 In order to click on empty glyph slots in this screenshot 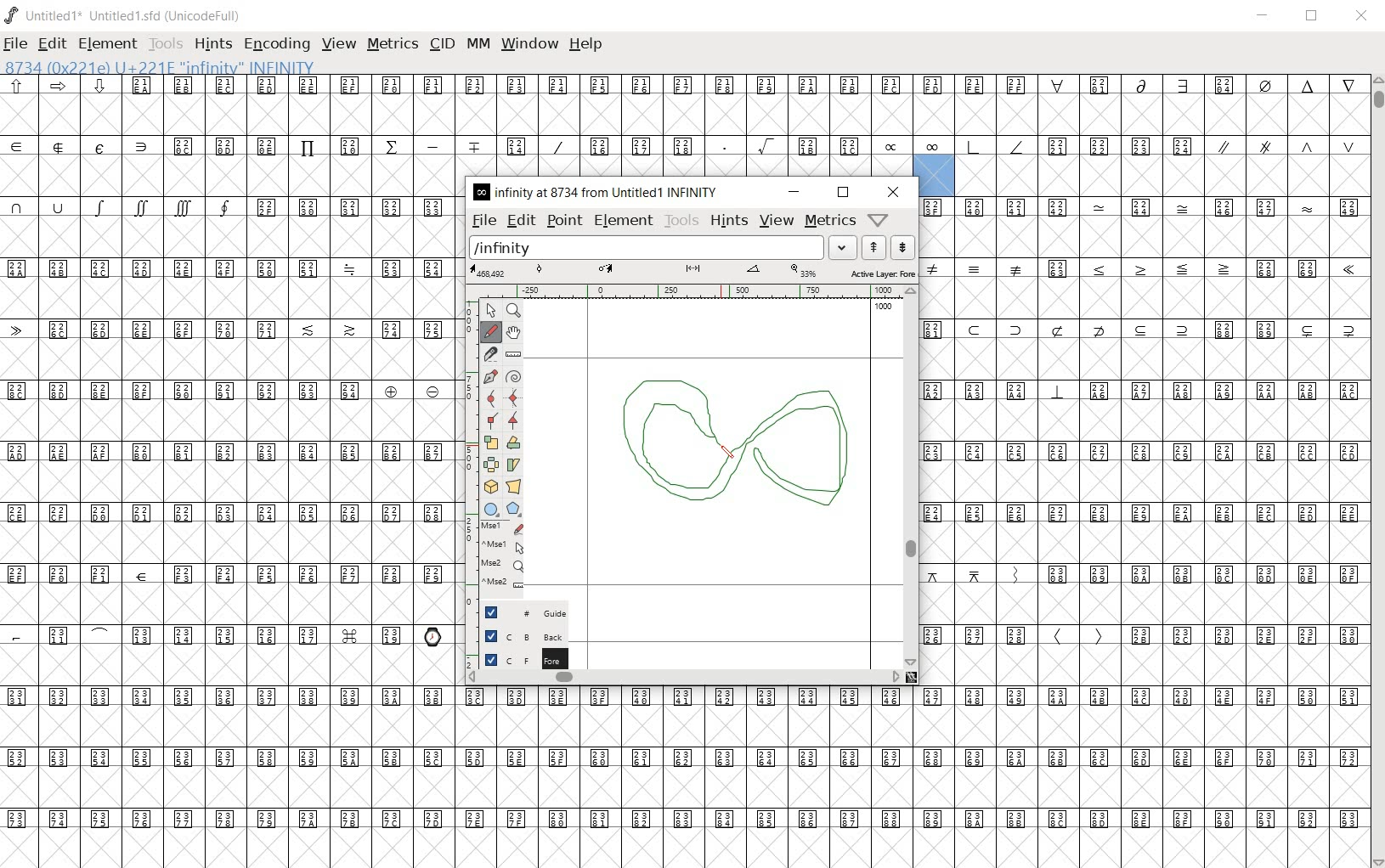, I will do `click(228, 176)`.